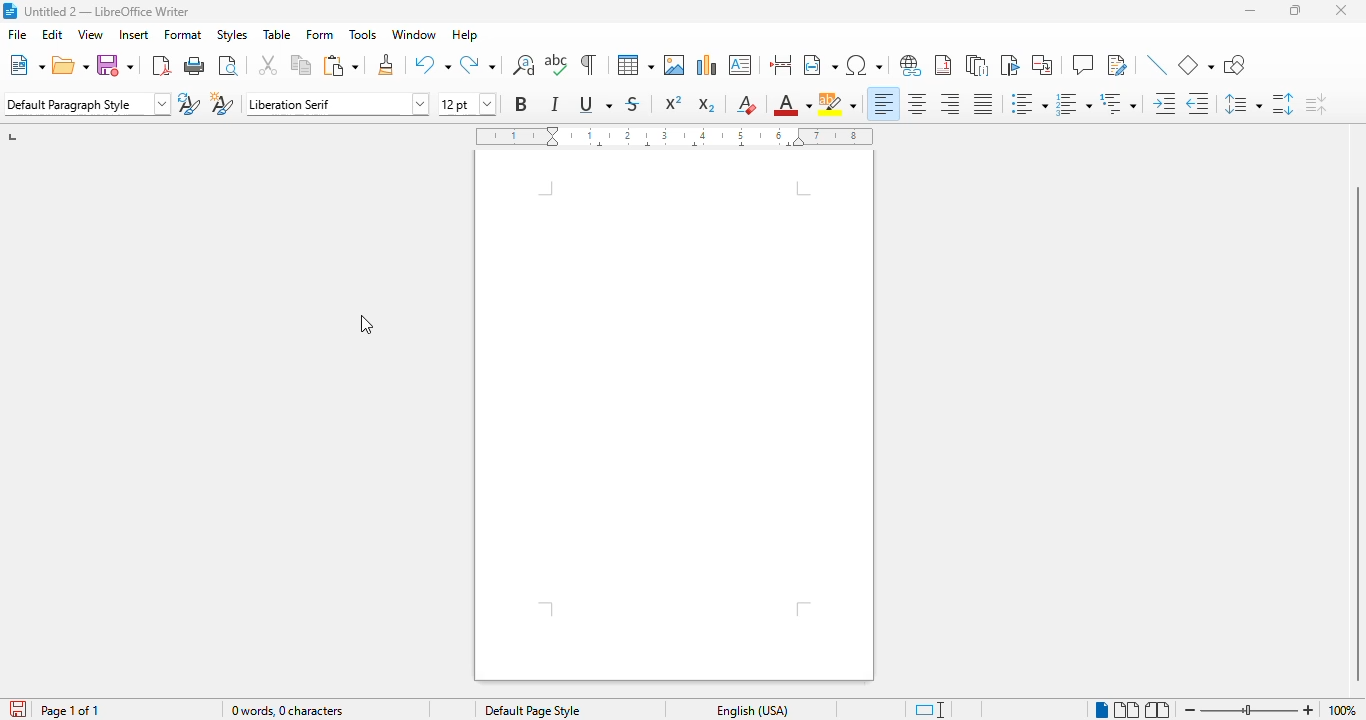 This screenshot has height=720, width=1366. Describe the element at coordinates (531, 710) in the screenshot. I see `page style` at that location.